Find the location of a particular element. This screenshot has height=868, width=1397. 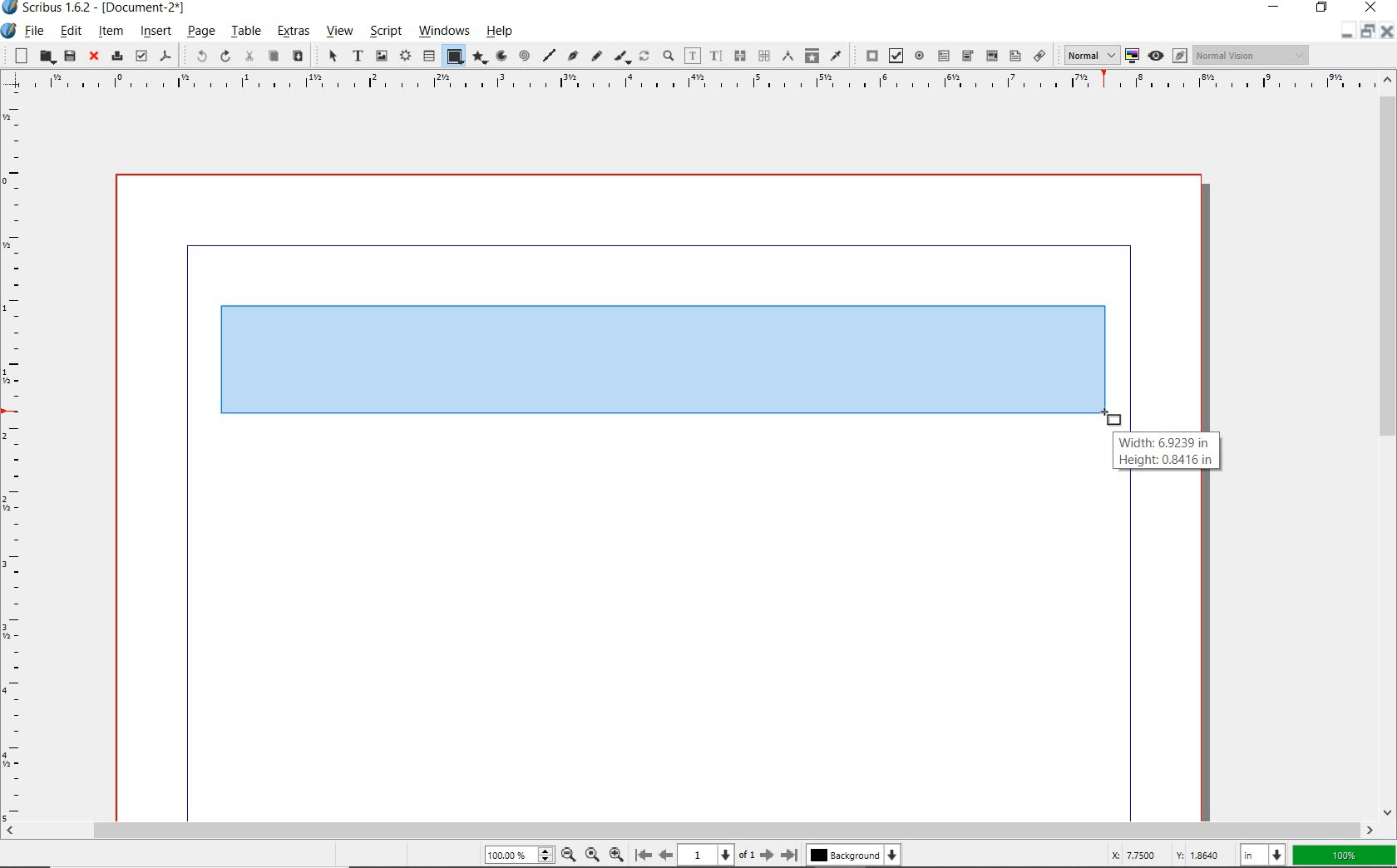

freehand line is located at coordinates (596, 57).